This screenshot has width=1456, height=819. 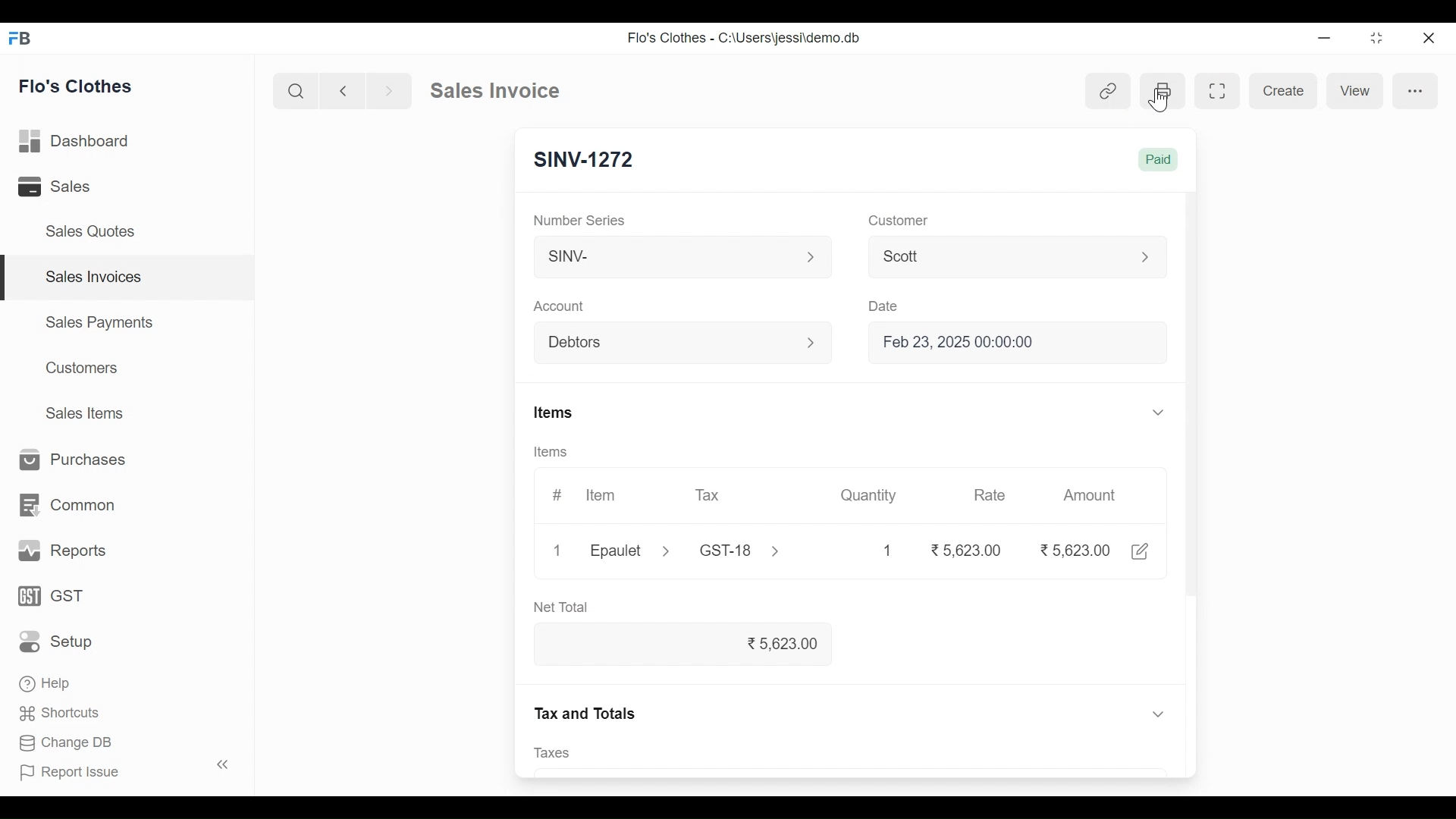 I want to click on Navigate Forward, so click(x=388, y=90).